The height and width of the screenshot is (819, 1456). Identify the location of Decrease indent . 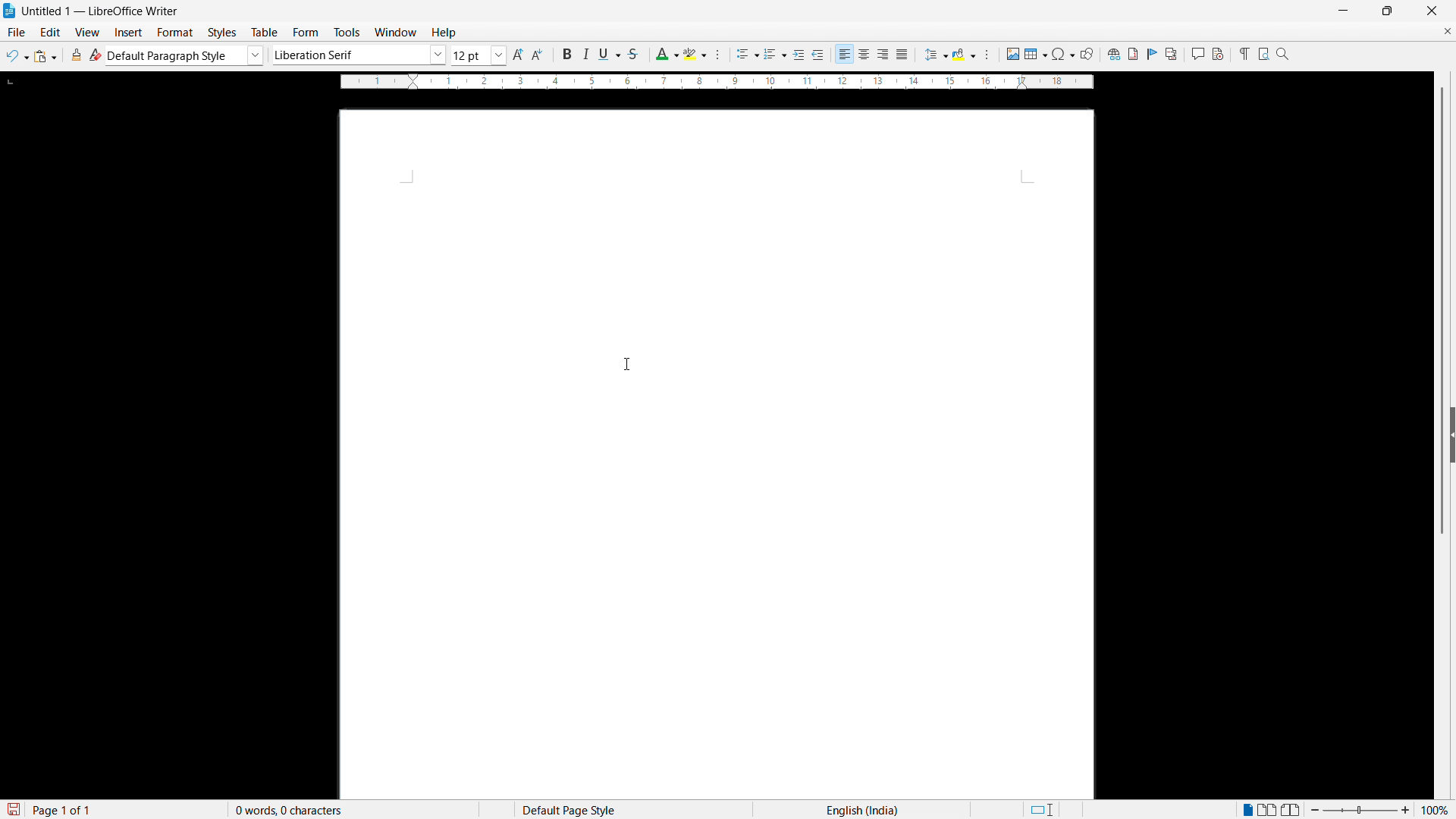
(819, 55).